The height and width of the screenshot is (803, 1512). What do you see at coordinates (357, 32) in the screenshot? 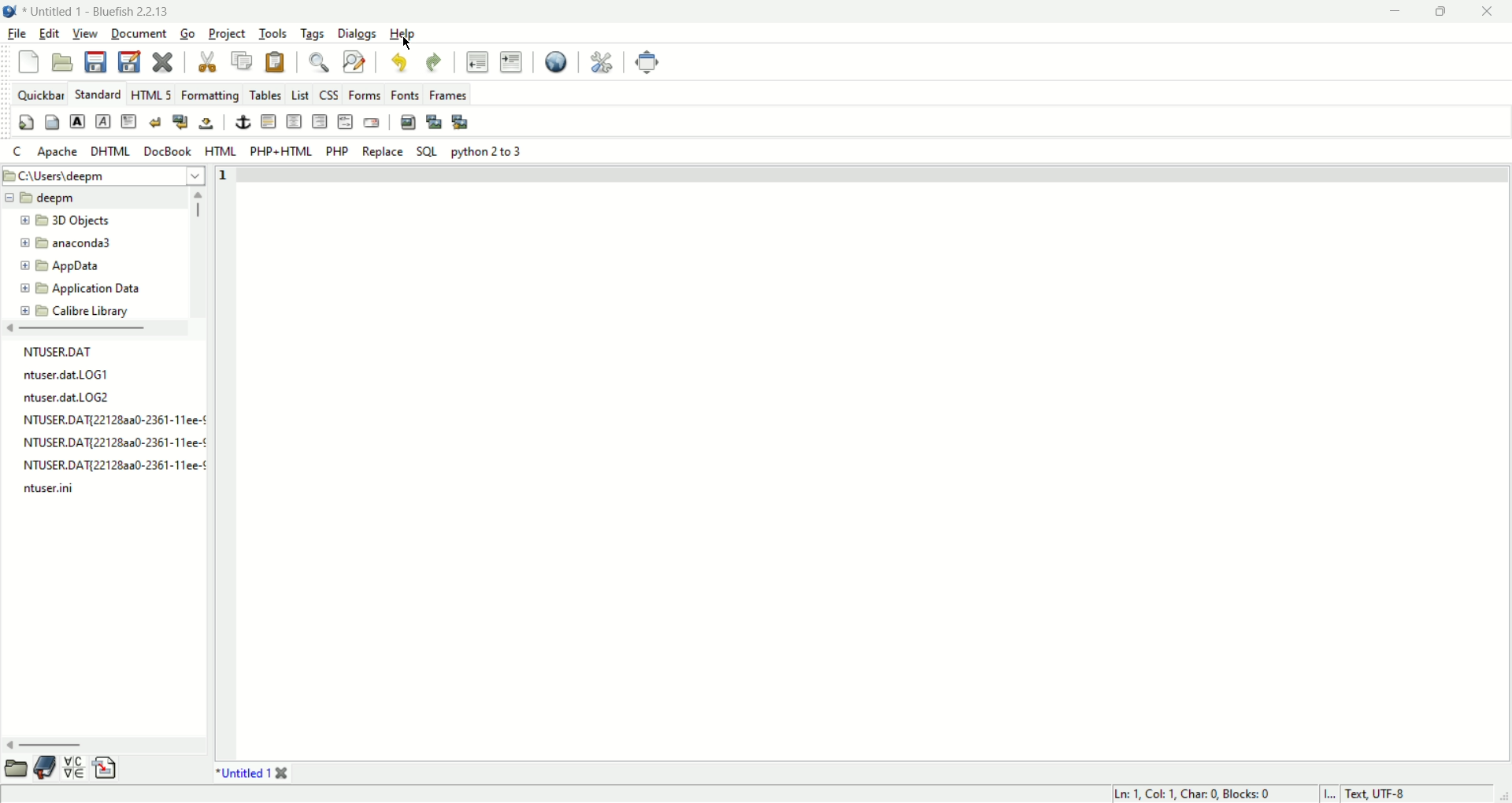
I see `dialogs` at bounding box center [357, 32].